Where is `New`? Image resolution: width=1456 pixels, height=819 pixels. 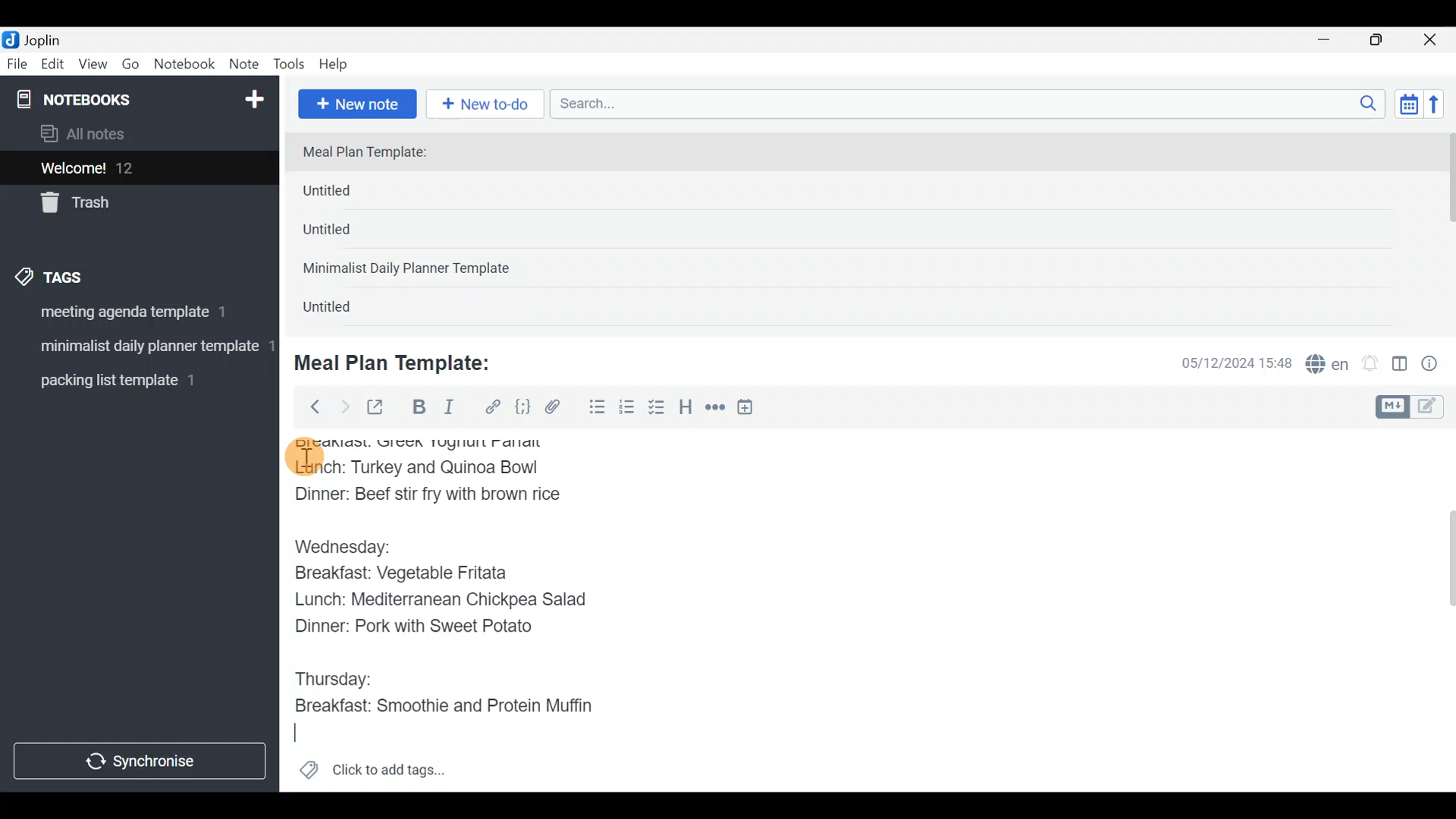
New is located at coordinates (253, 96).